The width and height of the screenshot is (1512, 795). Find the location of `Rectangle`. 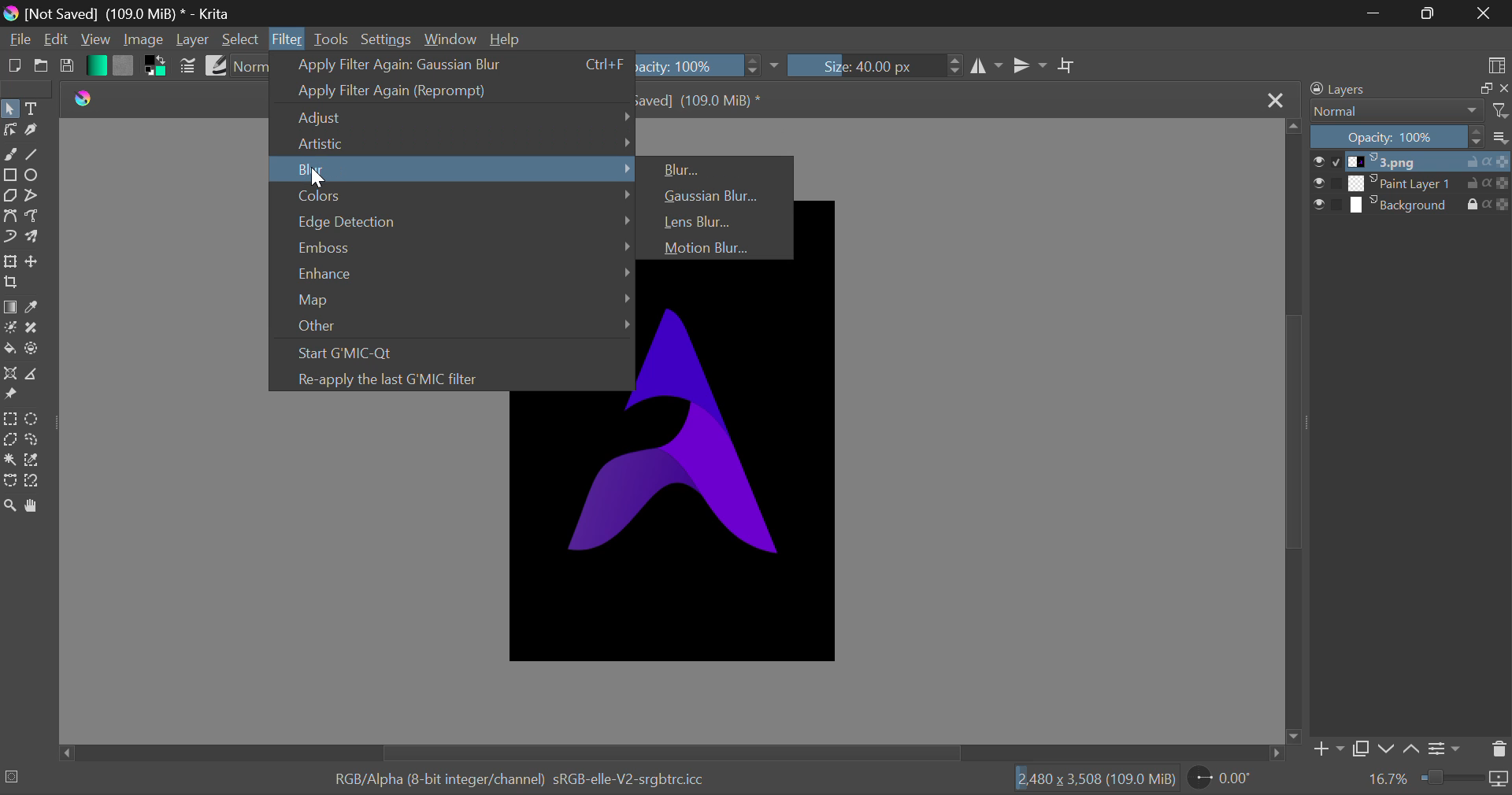

Rectangle is located at coordinates (9, 174).